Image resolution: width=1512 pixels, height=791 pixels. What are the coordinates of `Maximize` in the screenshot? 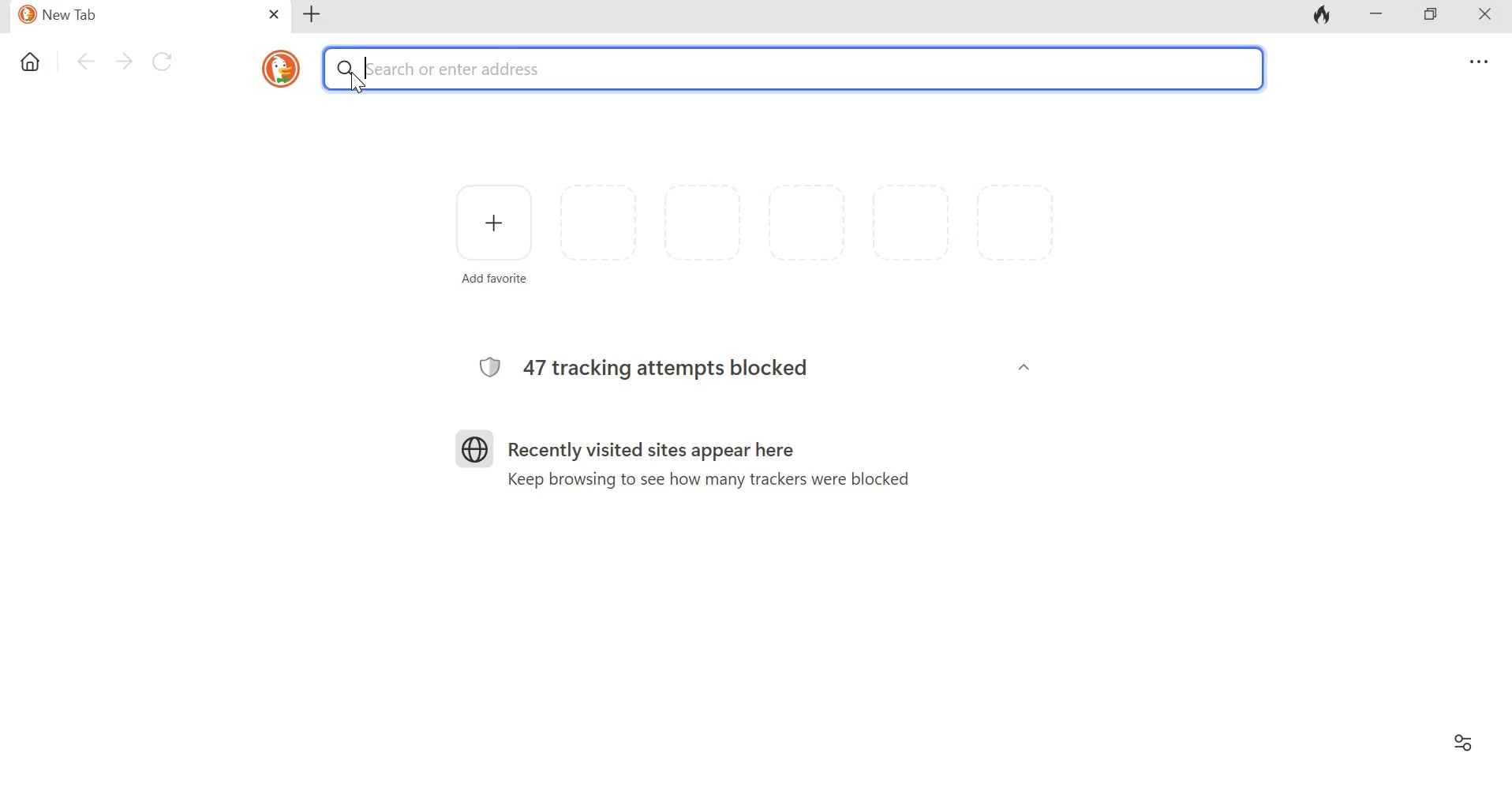 It's located at (1433, 15).